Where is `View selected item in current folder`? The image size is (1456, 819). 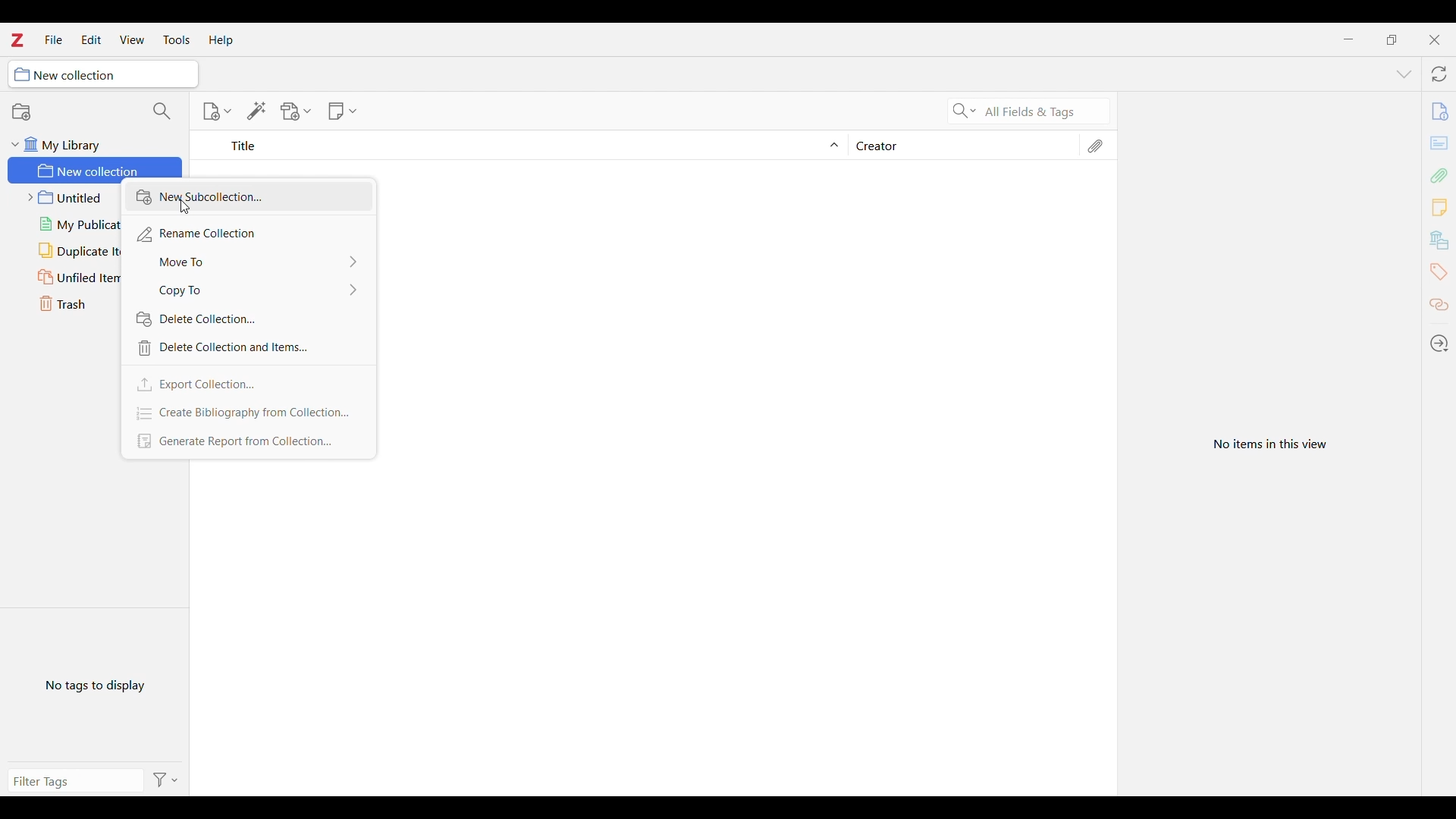 View selected item in current folder is located at coordinates (1270, 444).